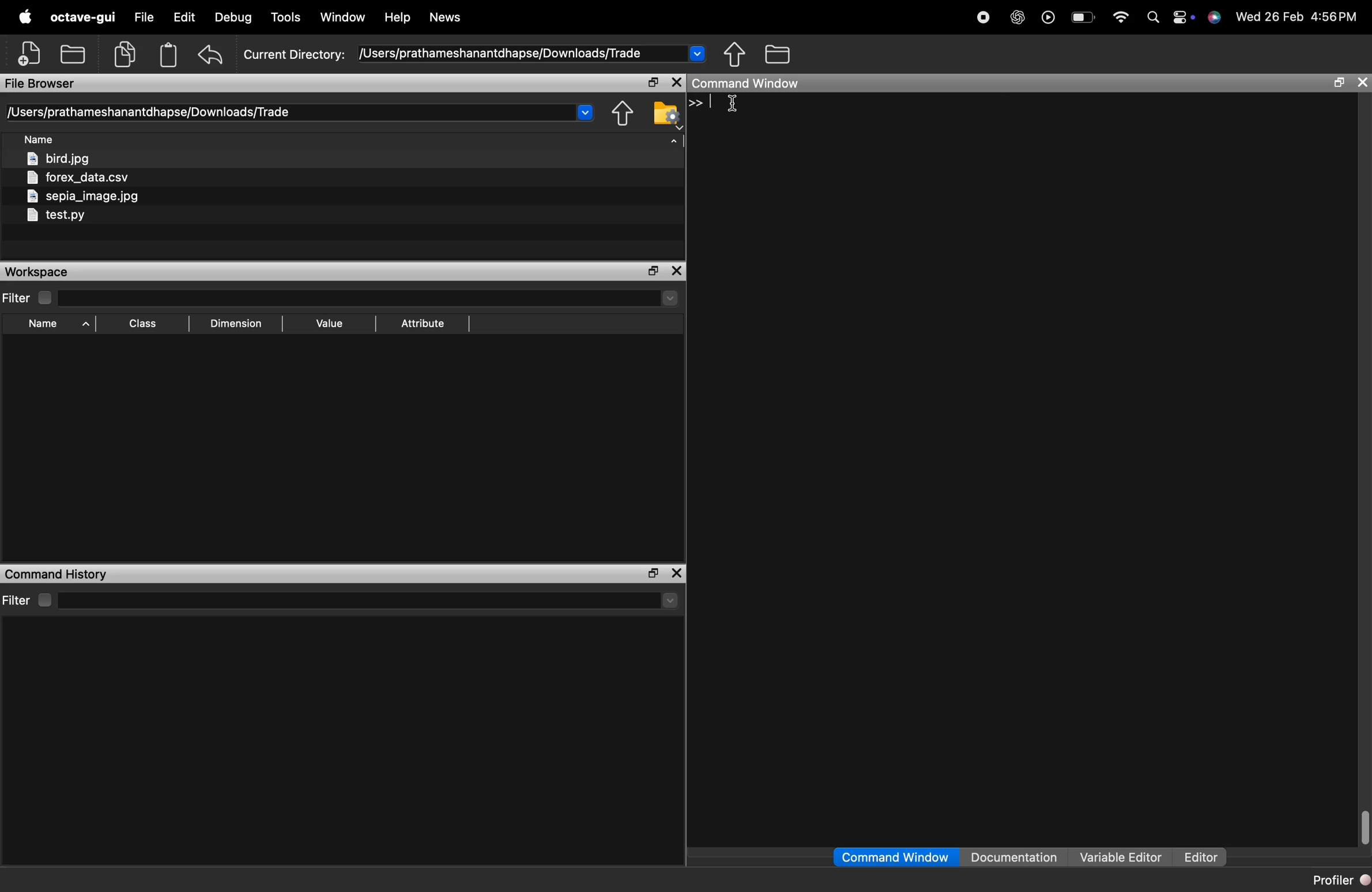  Describe the element at coordinates (397, 16) in the screenshot. I see `Help` at that location.